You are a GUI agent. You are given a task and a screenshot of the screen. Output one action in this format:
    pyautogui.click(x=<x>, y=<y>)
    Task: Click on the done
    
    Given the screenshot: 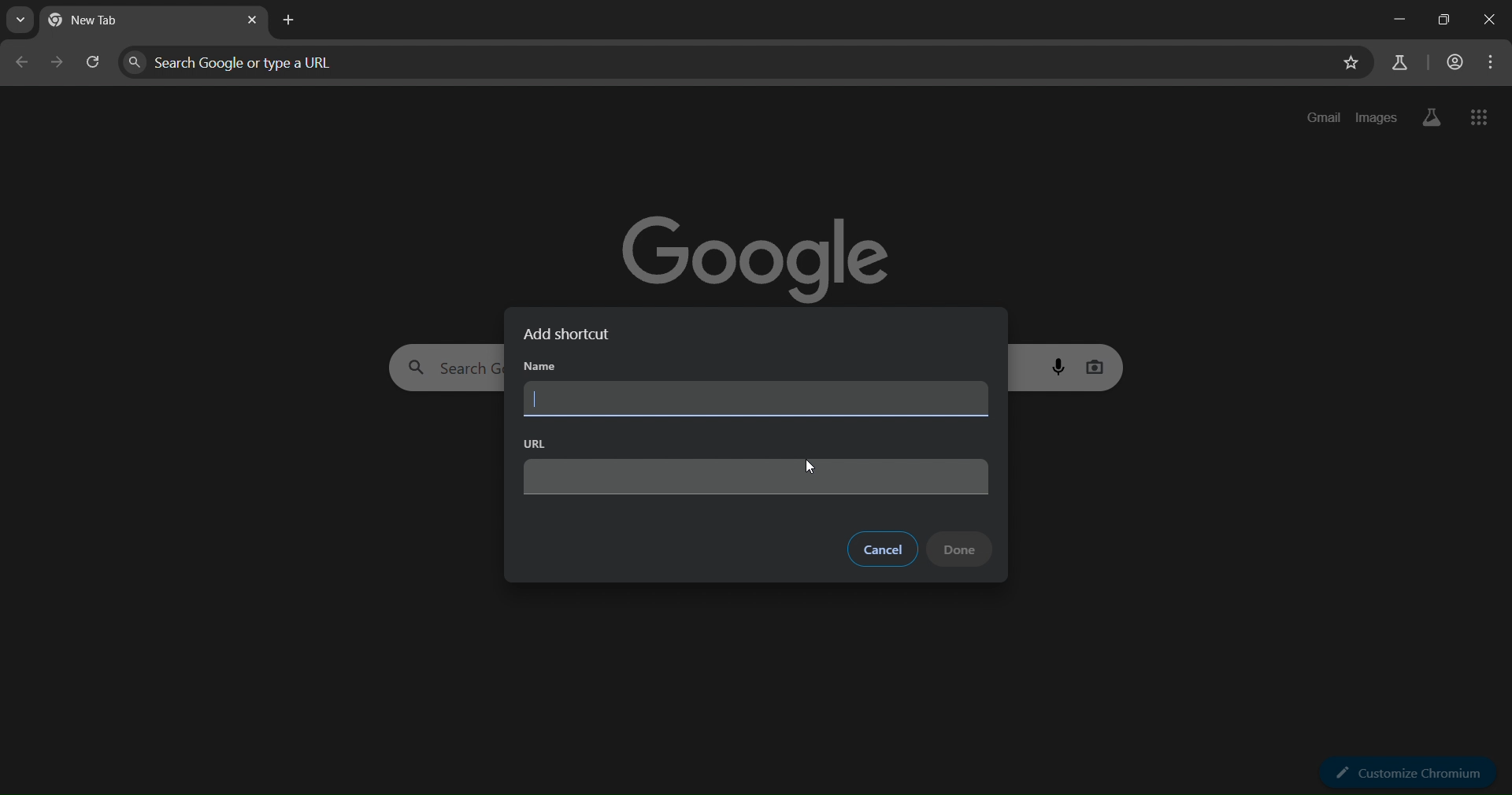 What is the action you would take?
    pyautogui.click(x=961, y=549)
    